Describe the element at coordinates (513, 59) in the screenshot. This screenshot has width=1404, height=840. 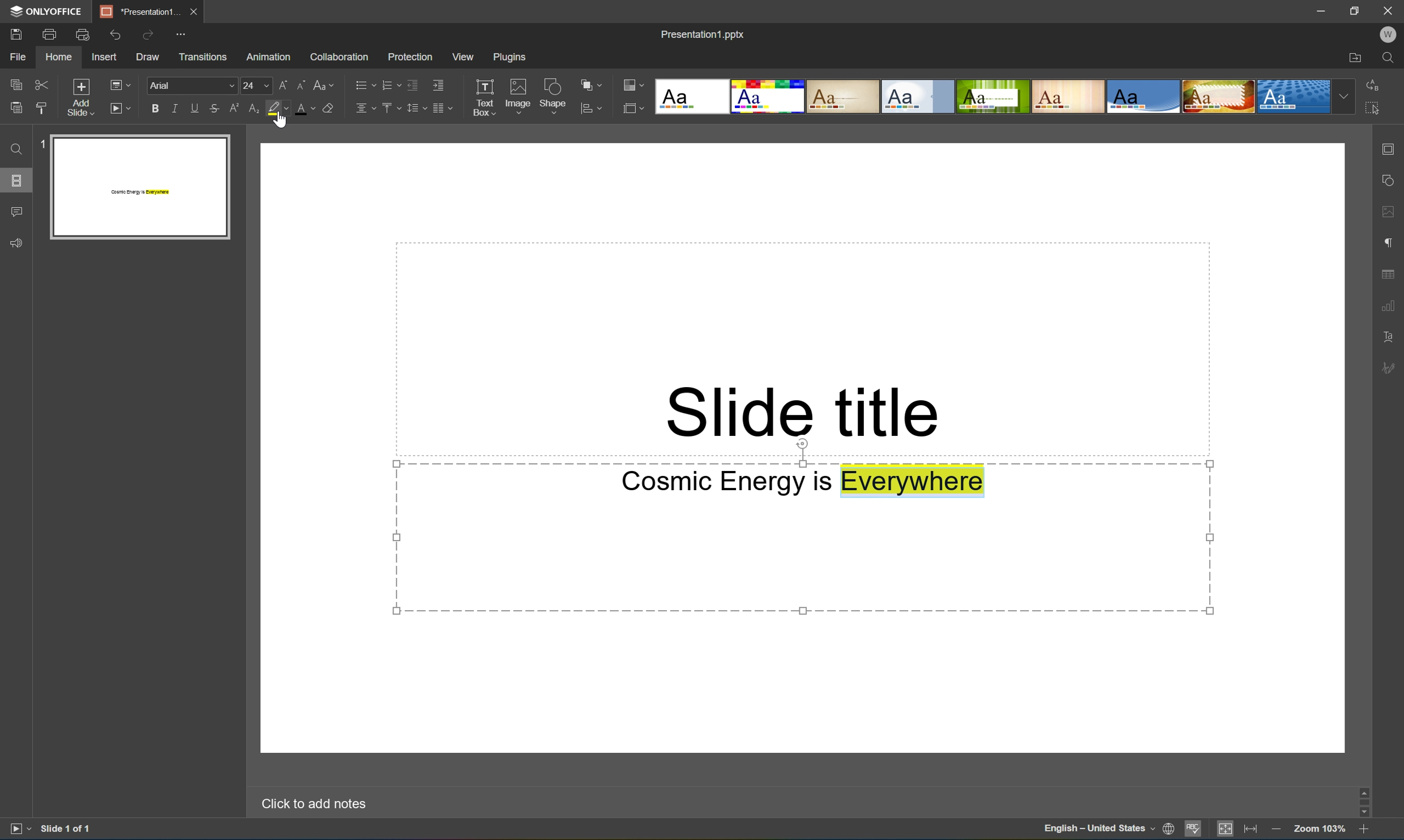
I see `Plugins` at that location.